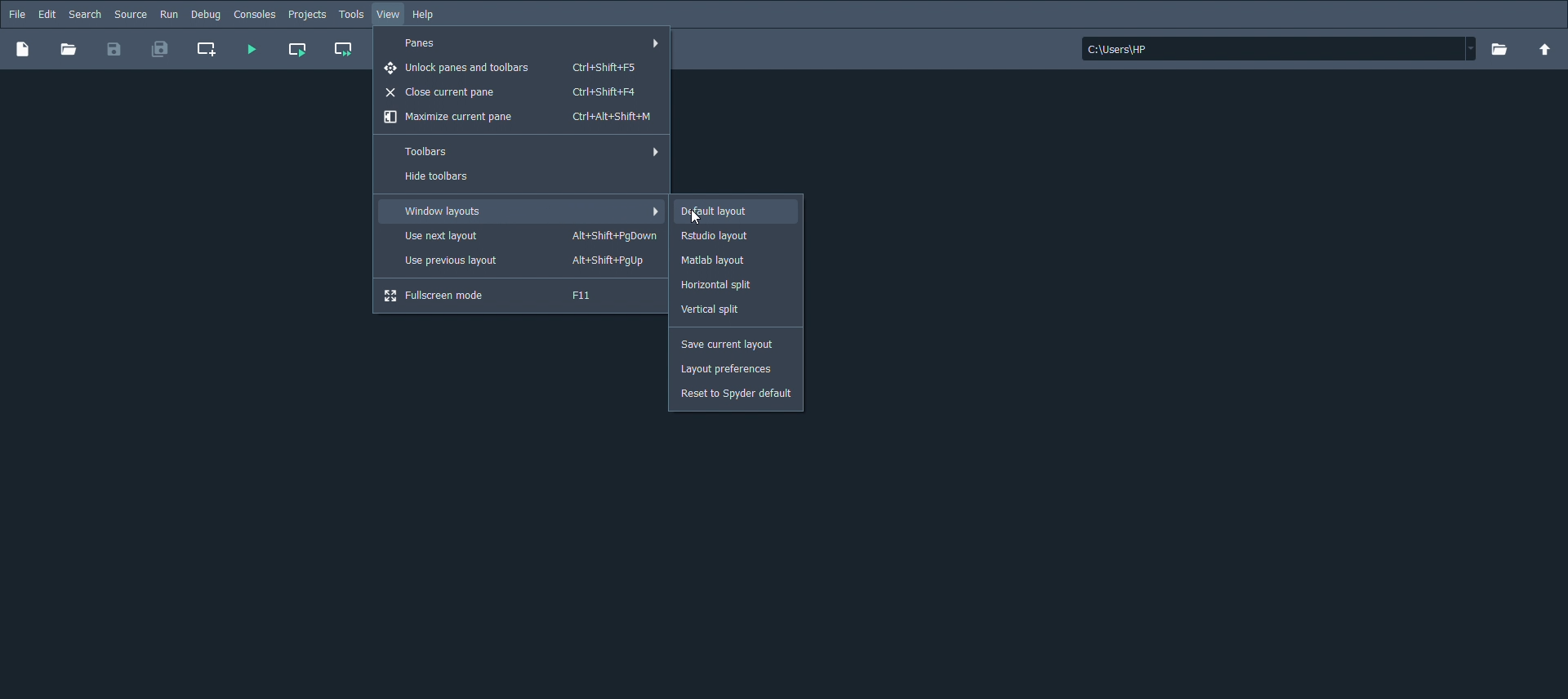 The height and width of the screenshot is (699, 1568). I want to click on Hide toolbars, so click(448, 176).